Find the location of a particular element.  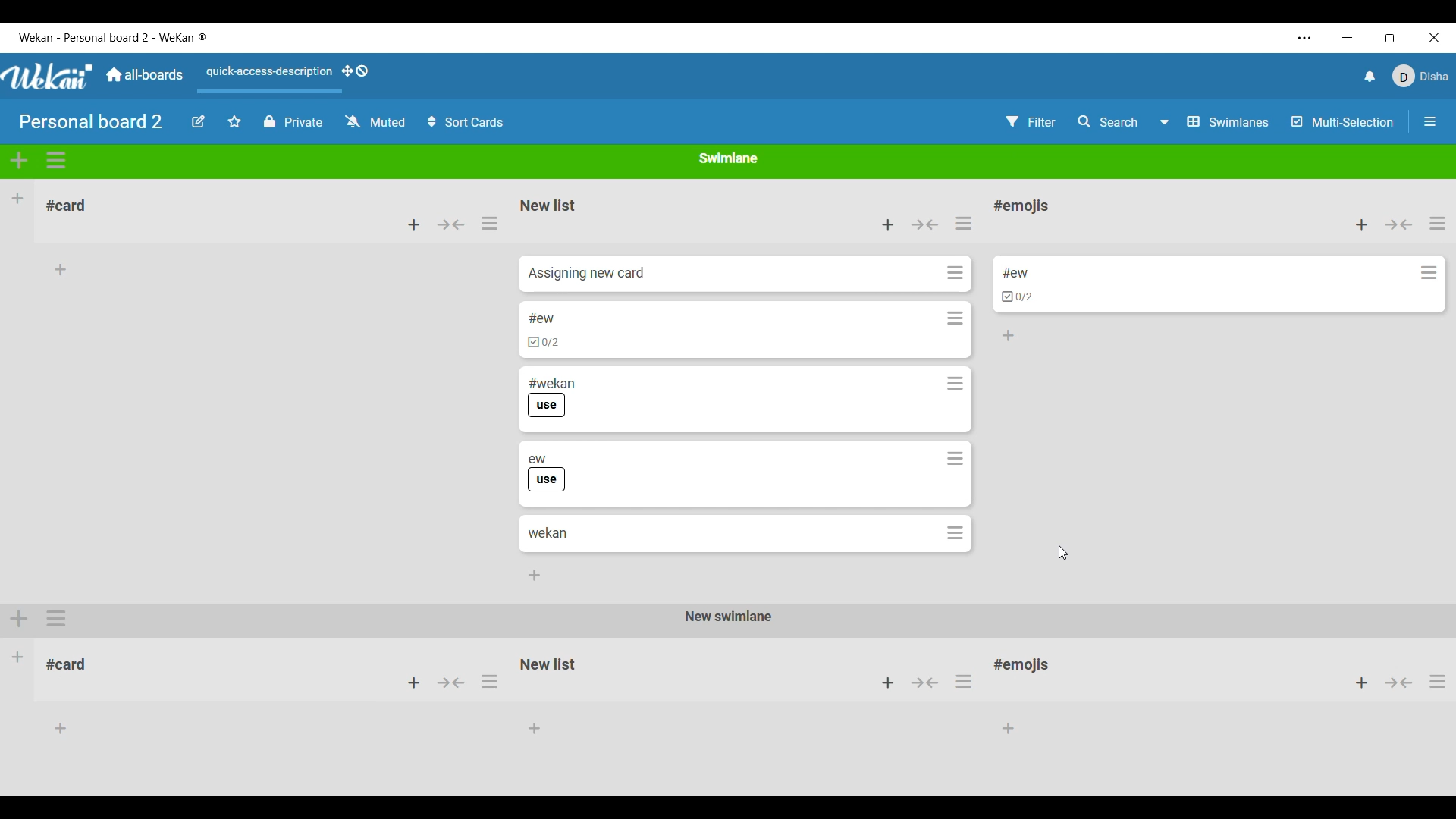

Edit board is located at coordinates (198, 122).